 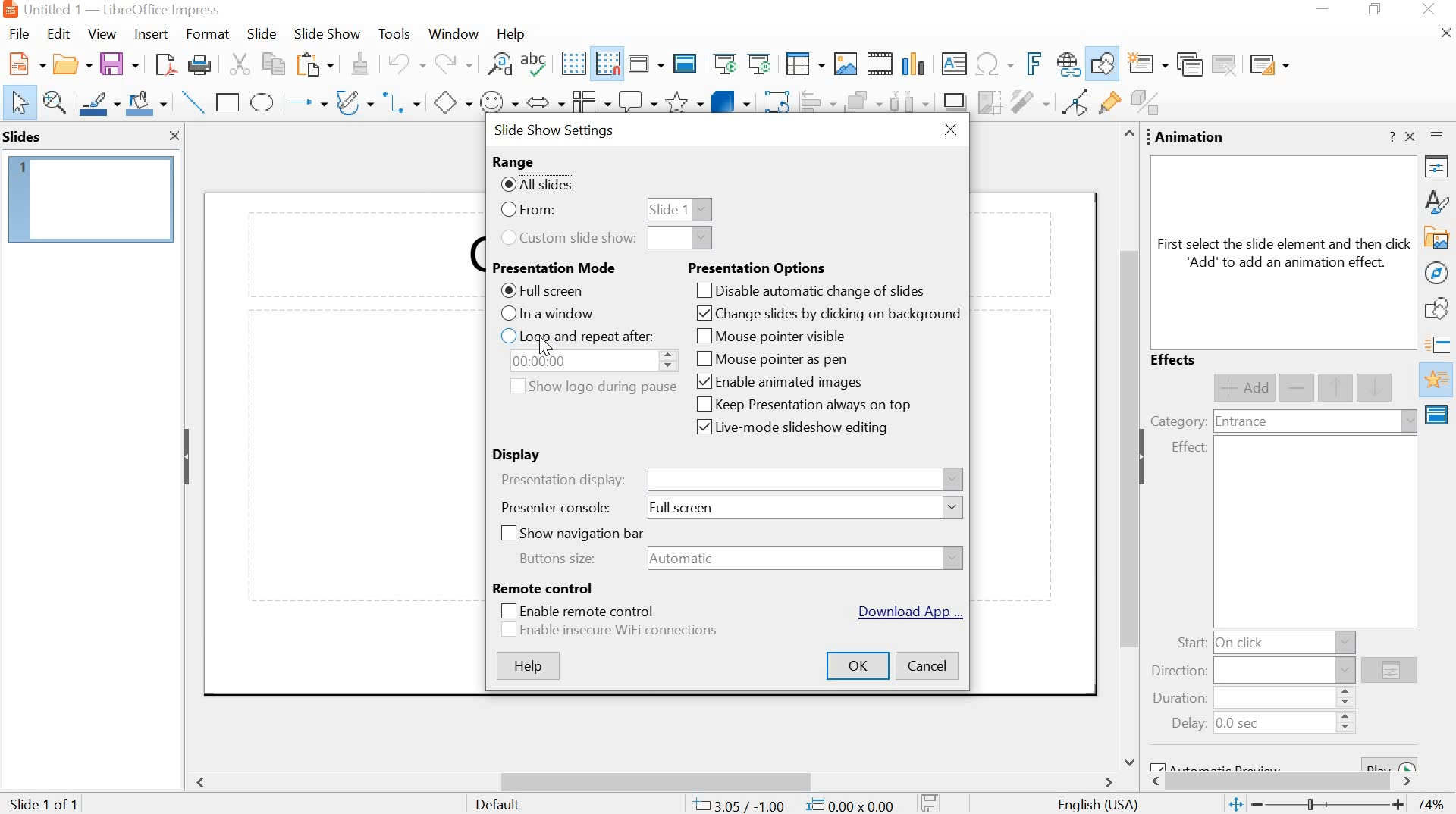 I want to click on sidebar settings, so click(x=1439, y=139).